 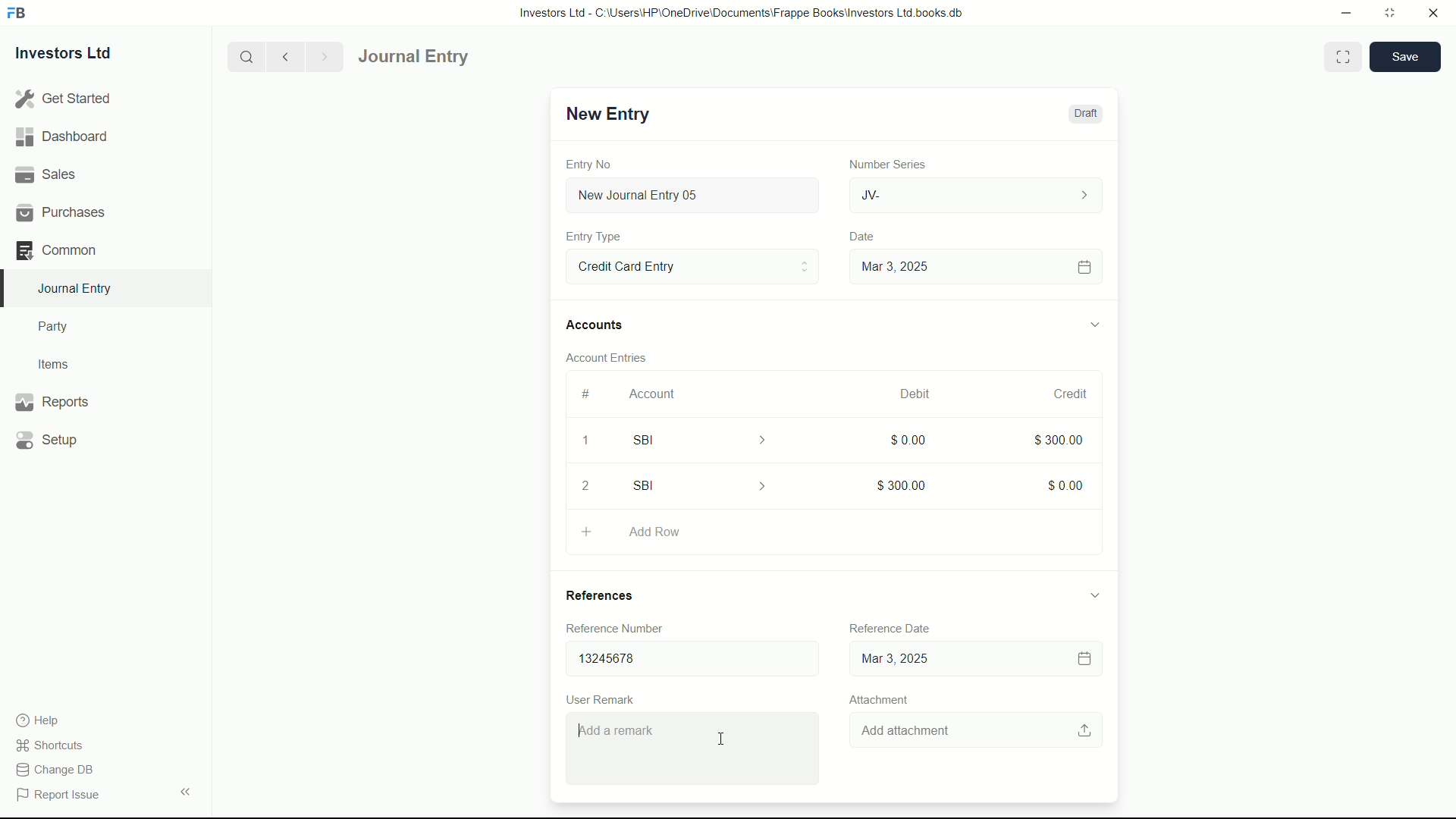 What do you see at coordinates (978, 193) in the screenshot?
I see `JV` at bounding box center [978, 193].